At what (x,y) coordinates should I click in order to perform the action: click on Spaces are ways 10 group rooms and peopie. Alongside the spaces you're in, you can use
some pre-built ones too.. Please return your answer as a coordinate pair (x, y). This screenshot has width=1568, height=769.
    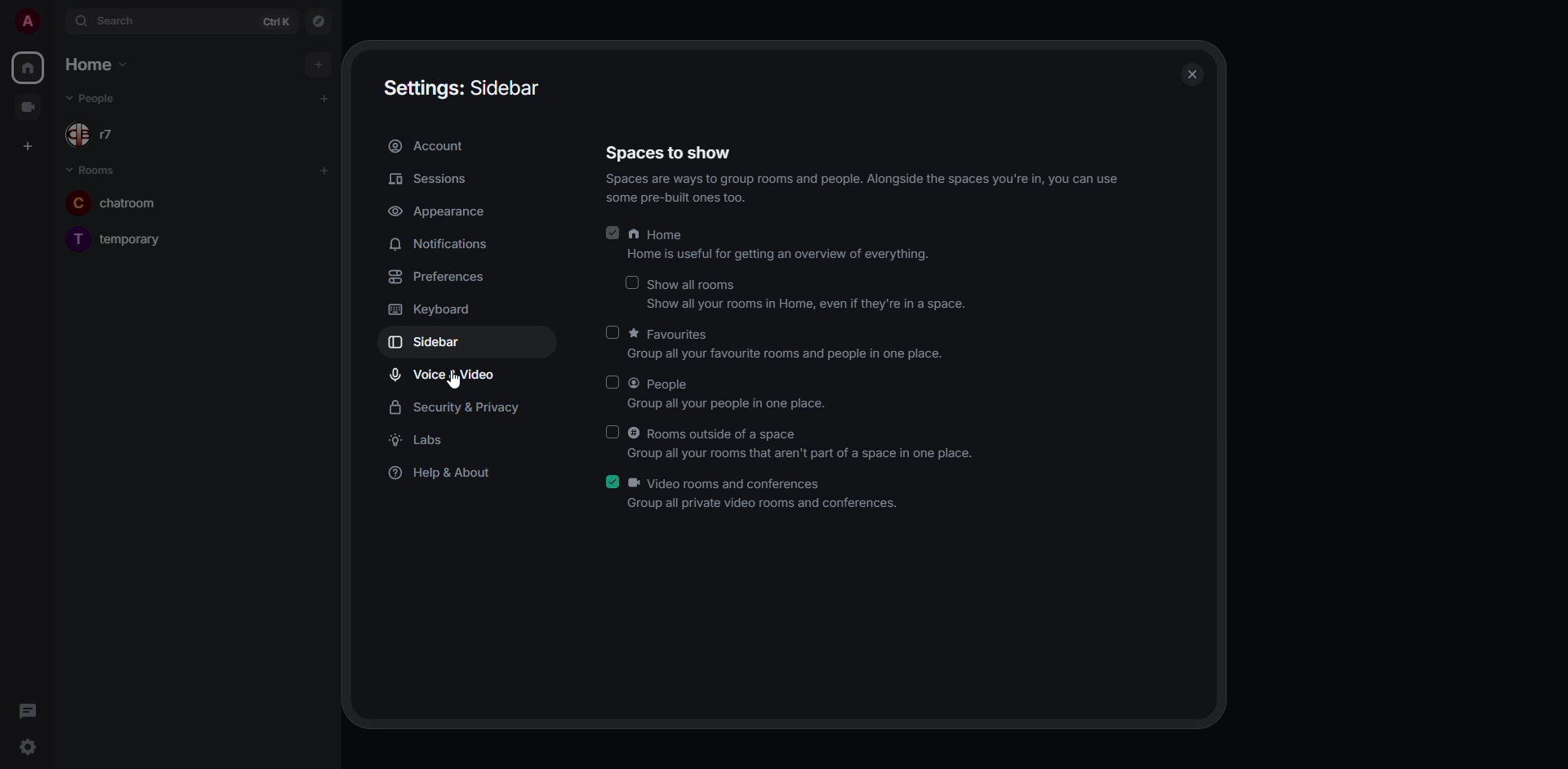
    Looking at the image, I should click on (862, 186).